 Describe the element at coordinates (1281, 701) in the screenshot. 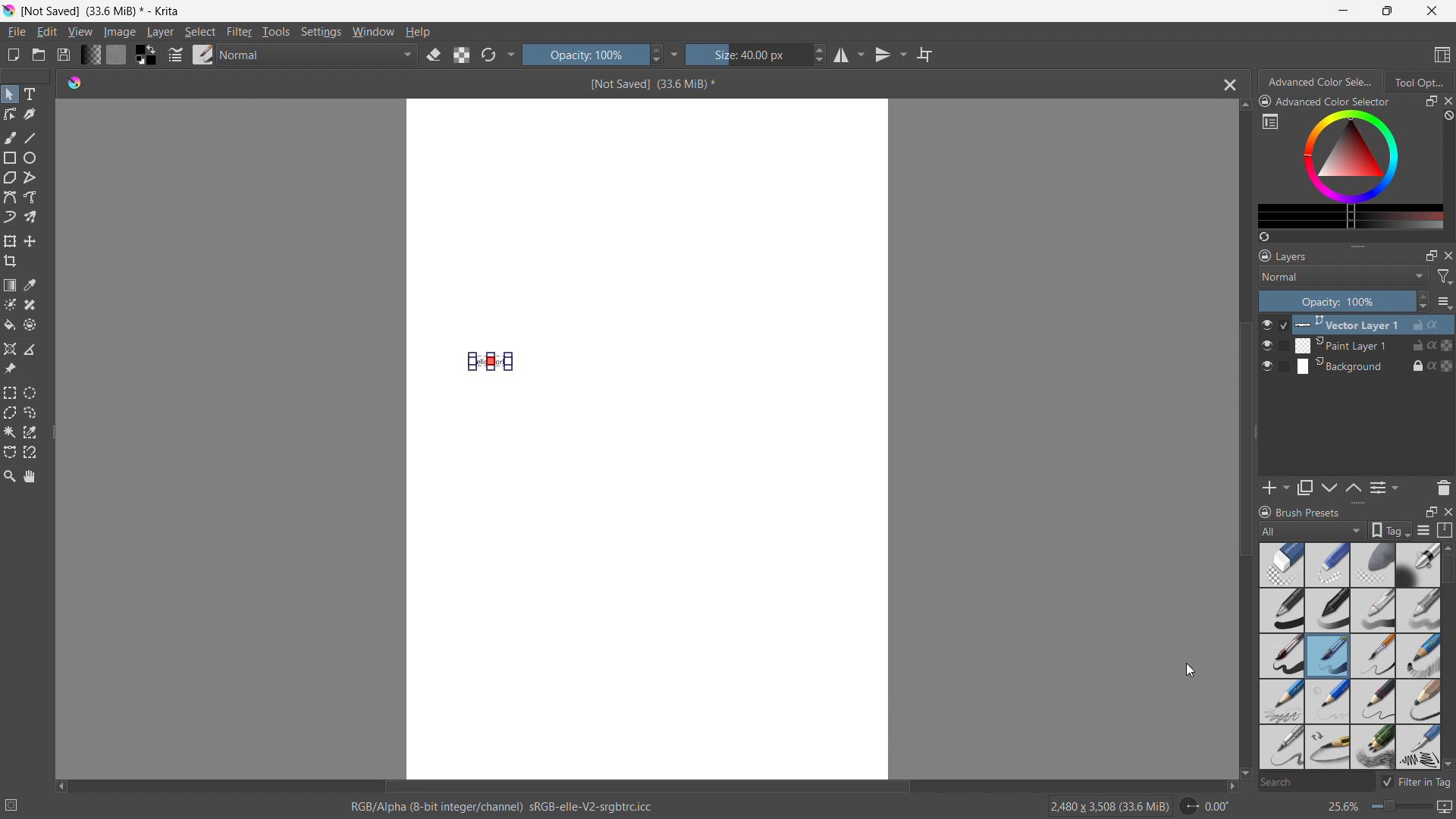

I see `pencil` at that location.